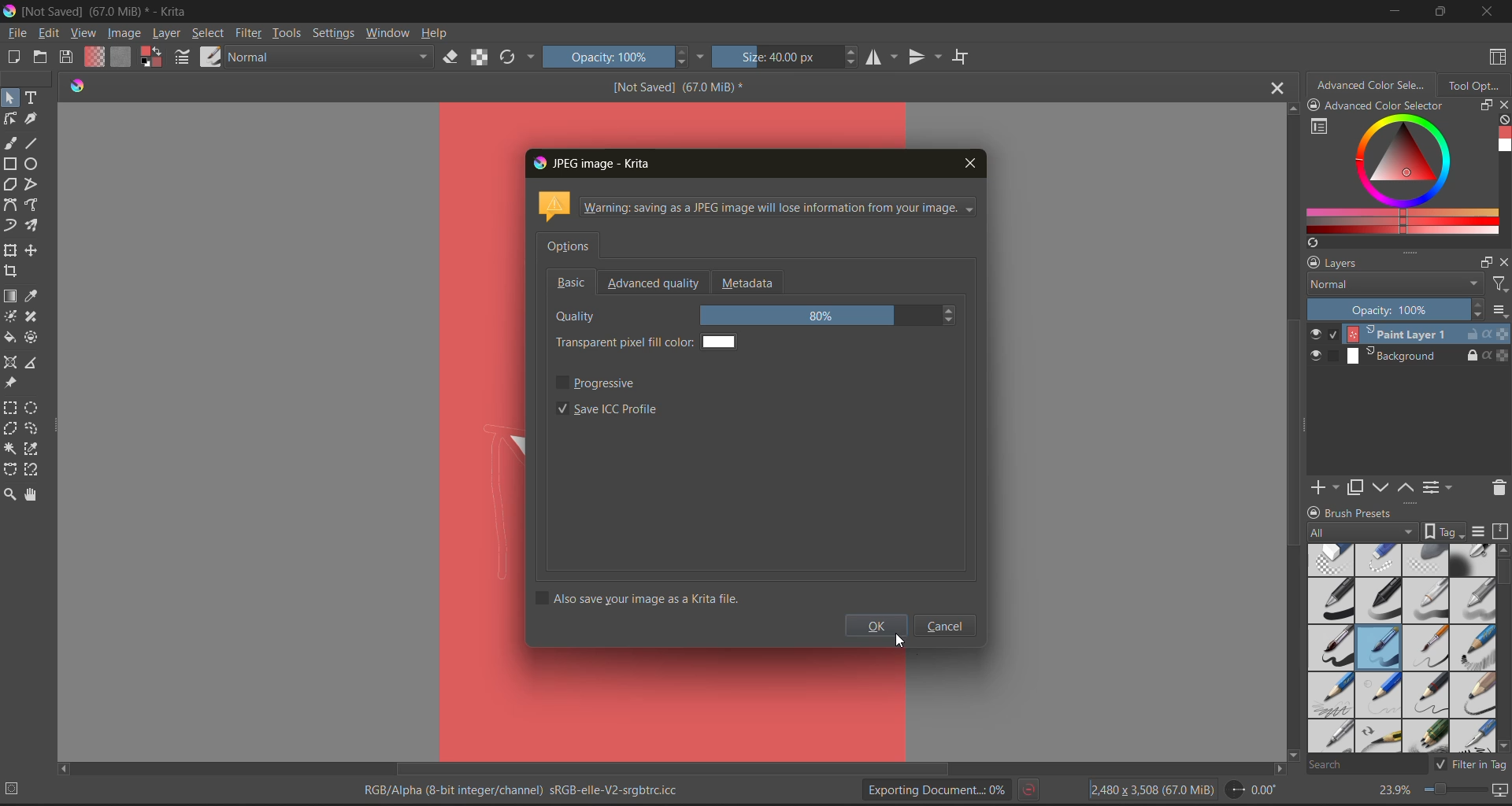 Image resolution: width=1512 pixels, height=806 pixels. Describe the element at coordinates (10, 183) in the screenshot. I see `tools` at that location.